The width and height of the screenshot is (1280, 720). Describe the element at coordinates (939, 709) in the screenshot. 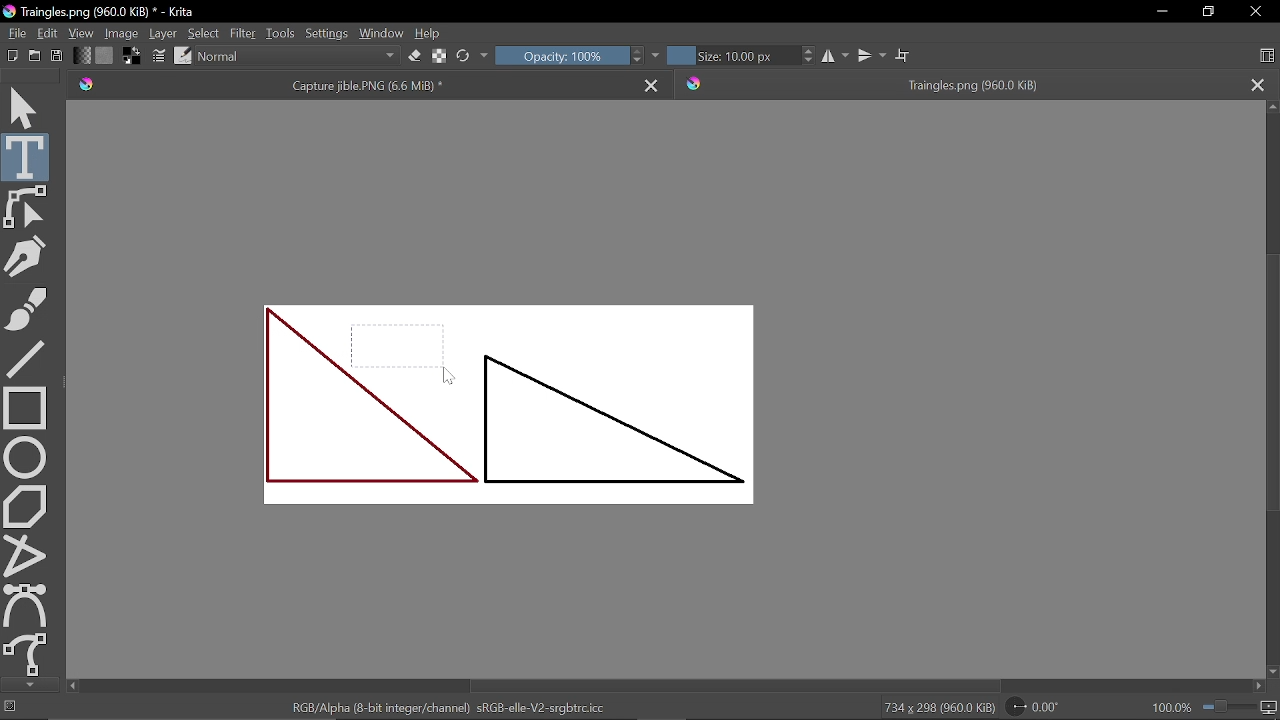

I see `734 * 298 (960.0 Kib)` at that location.